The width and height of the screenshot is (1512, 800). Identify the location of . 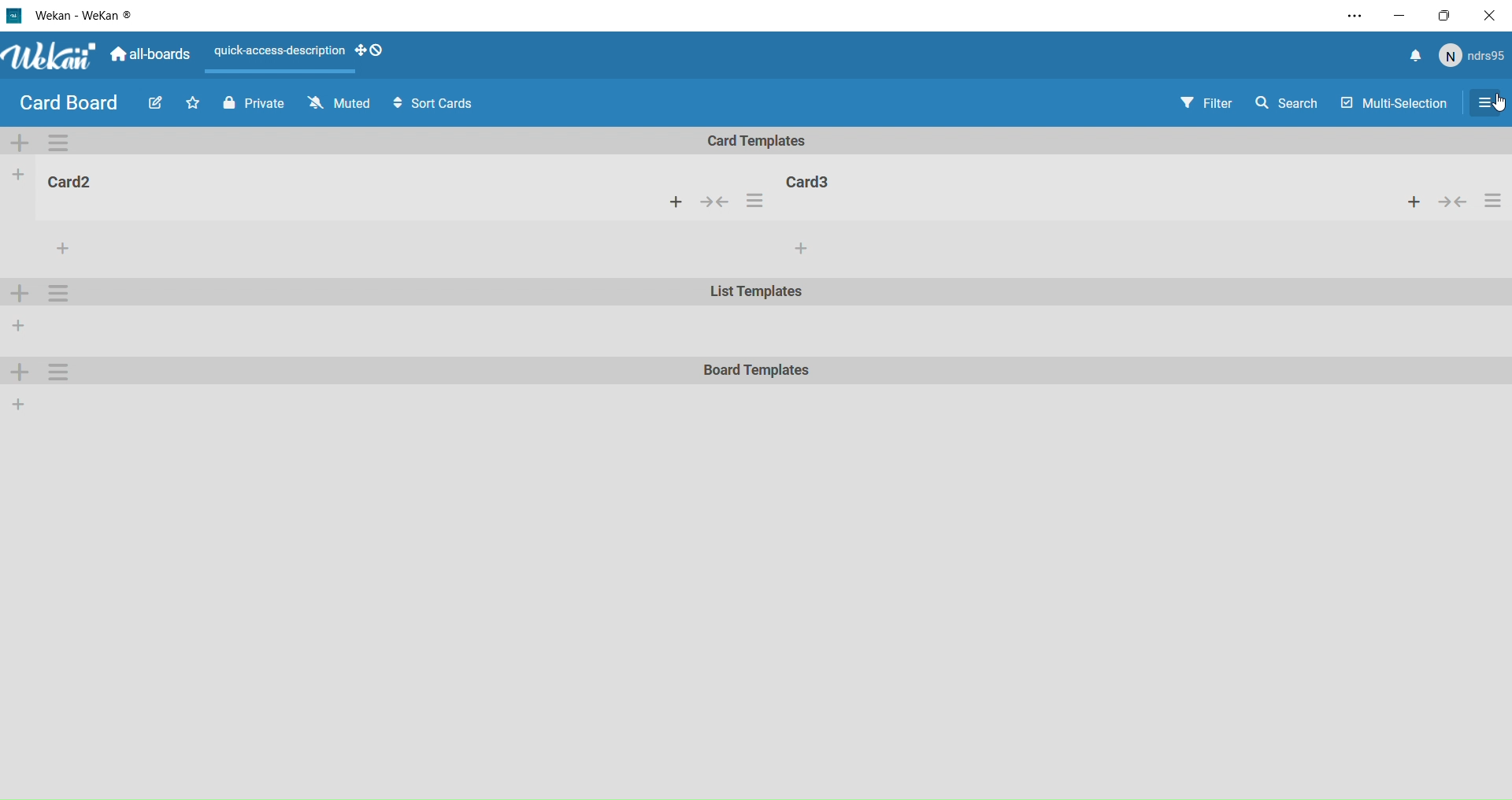
(149, 57).